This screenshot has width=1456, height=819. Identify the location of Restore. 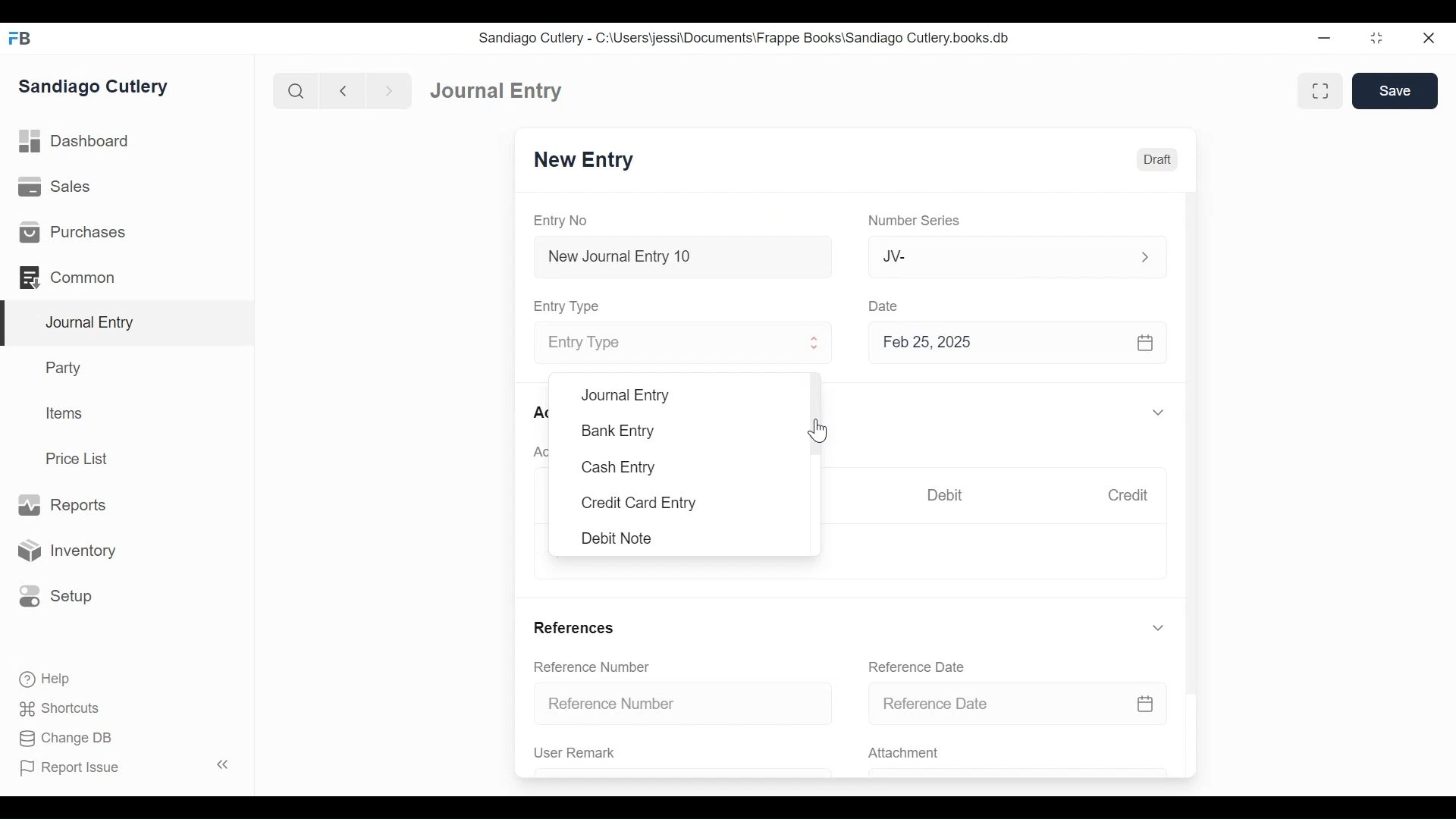
(1376, 39).